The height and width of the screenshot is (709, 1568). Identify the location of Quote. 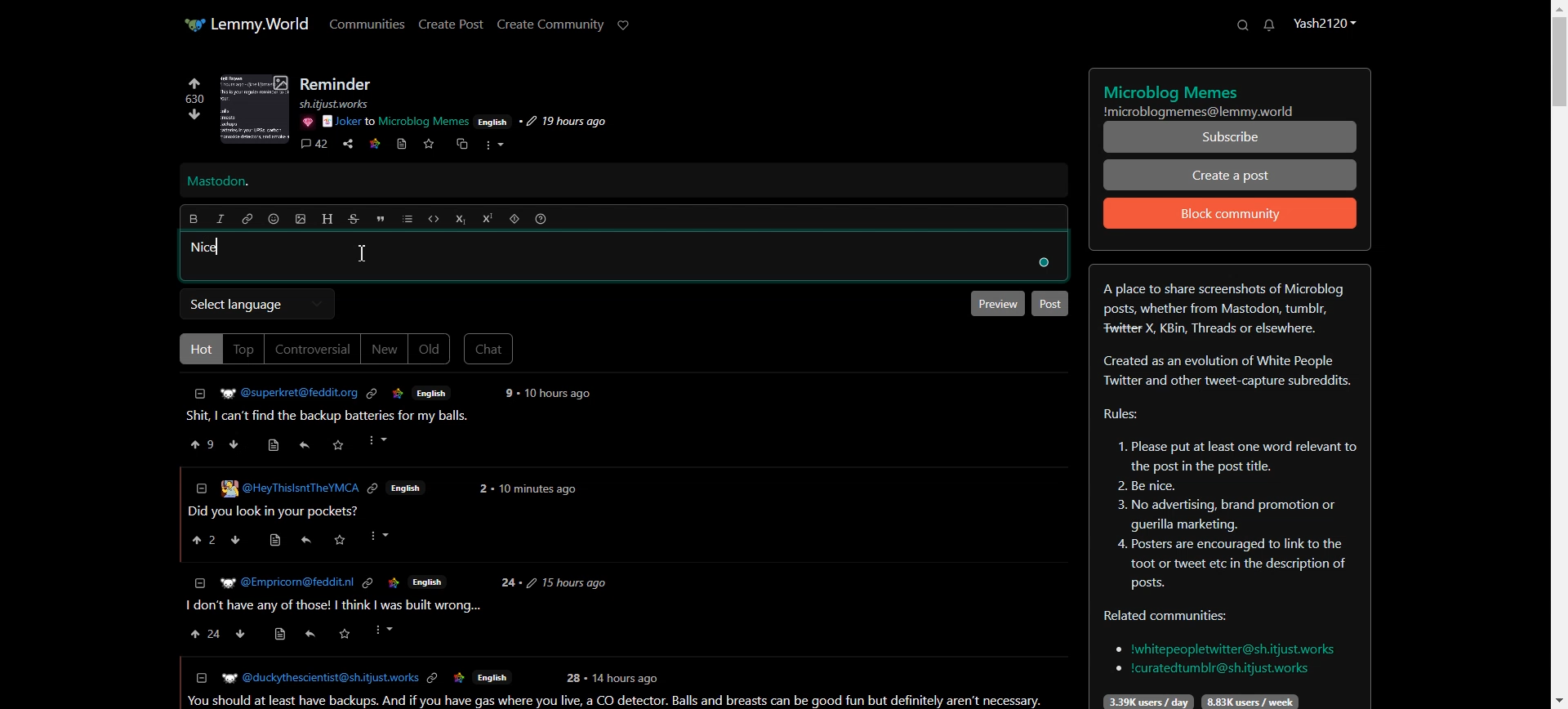
(380, 219).